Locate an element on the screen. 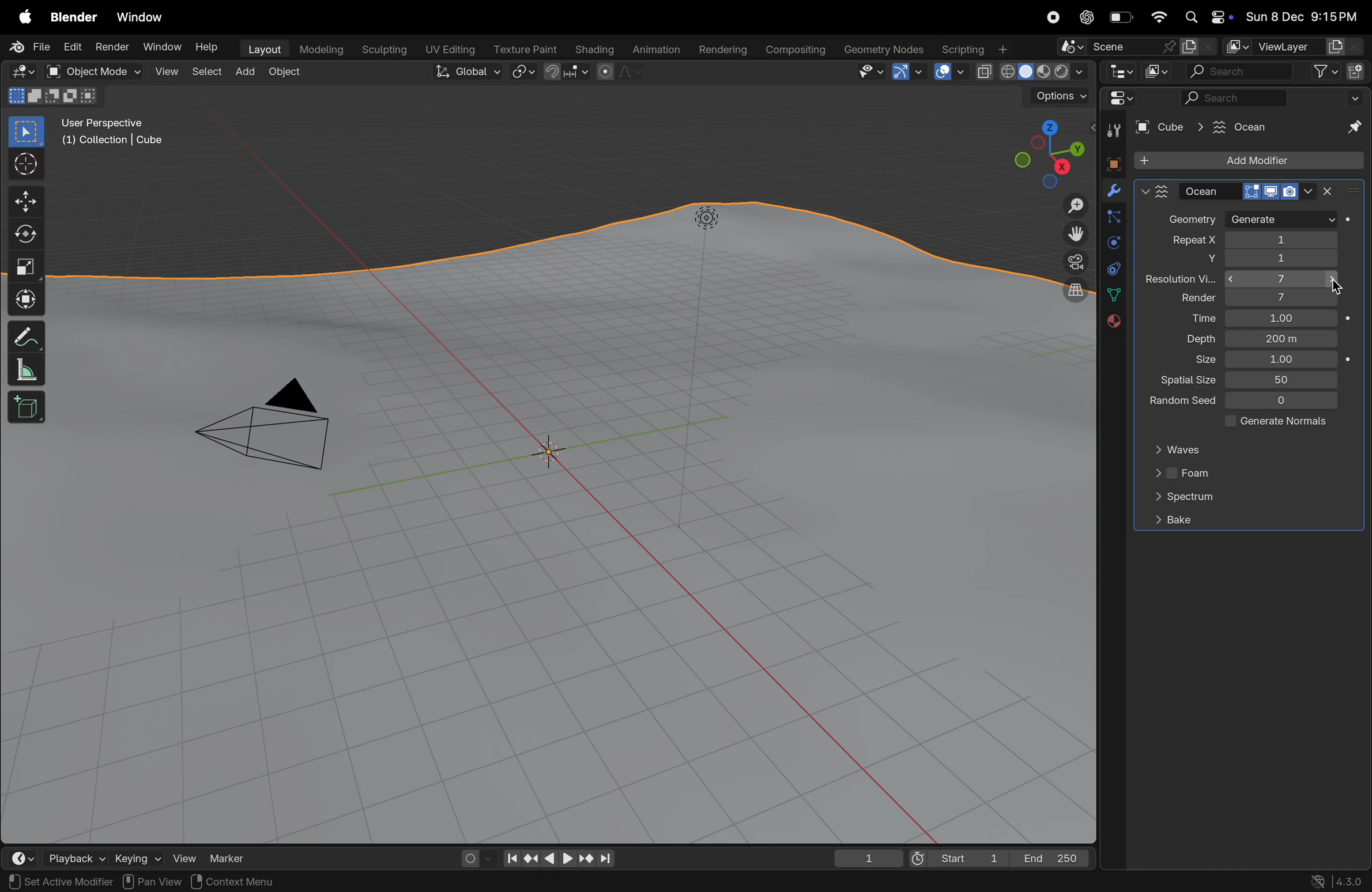  zoom in zoom out view is located at coordinates (1071, 206).